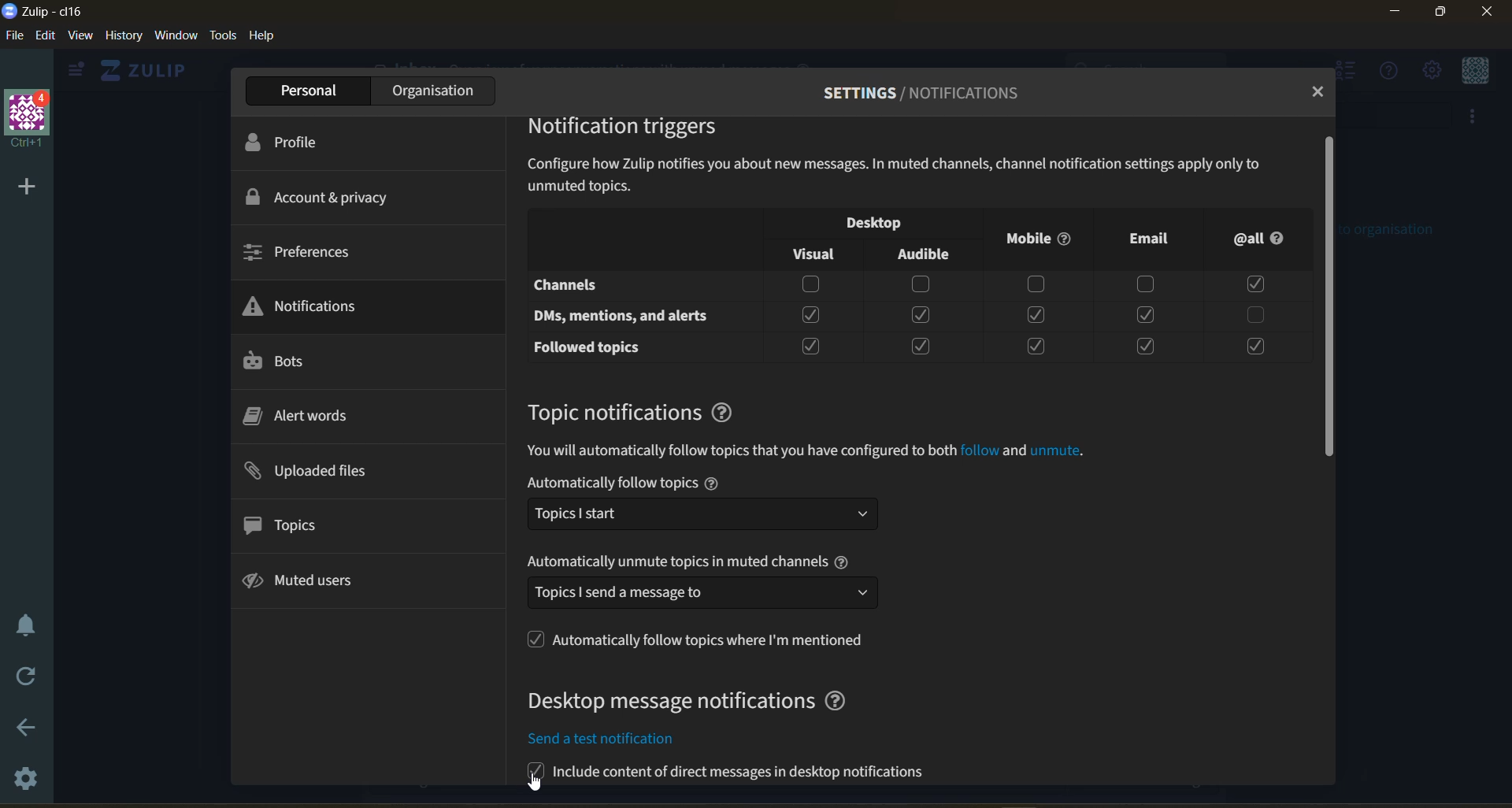  What do you see at coordinates (922, 254) in the screenshot?
I see `Audible` at bounding box center [922, 254].